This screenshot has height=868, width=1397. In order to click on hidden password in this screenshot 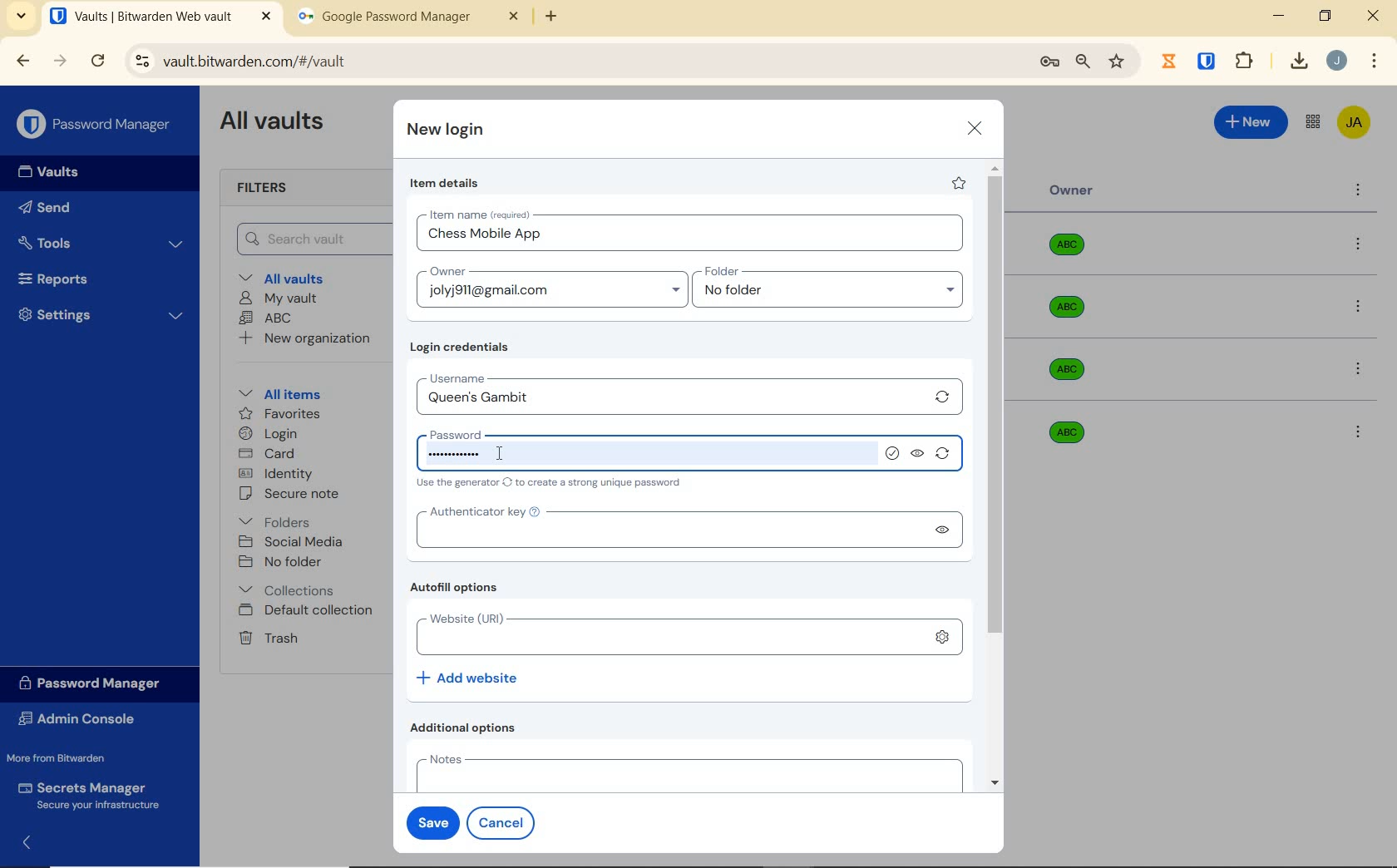, I will do `click(455, 455)`.